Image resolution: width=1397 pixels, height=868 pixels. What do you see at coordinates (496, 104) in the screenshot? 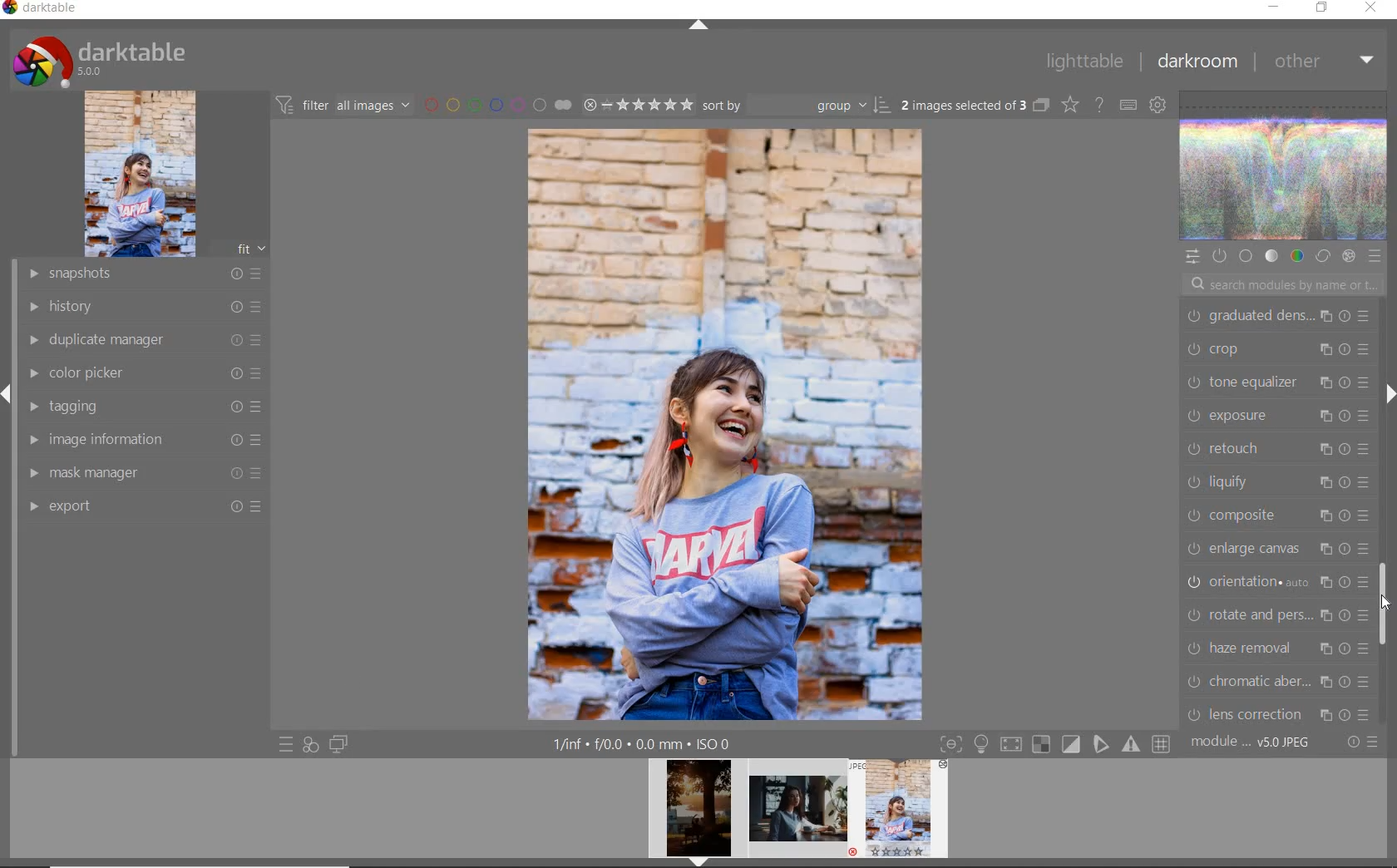
I see `filter by image color label` at bounding box center [496, 104].